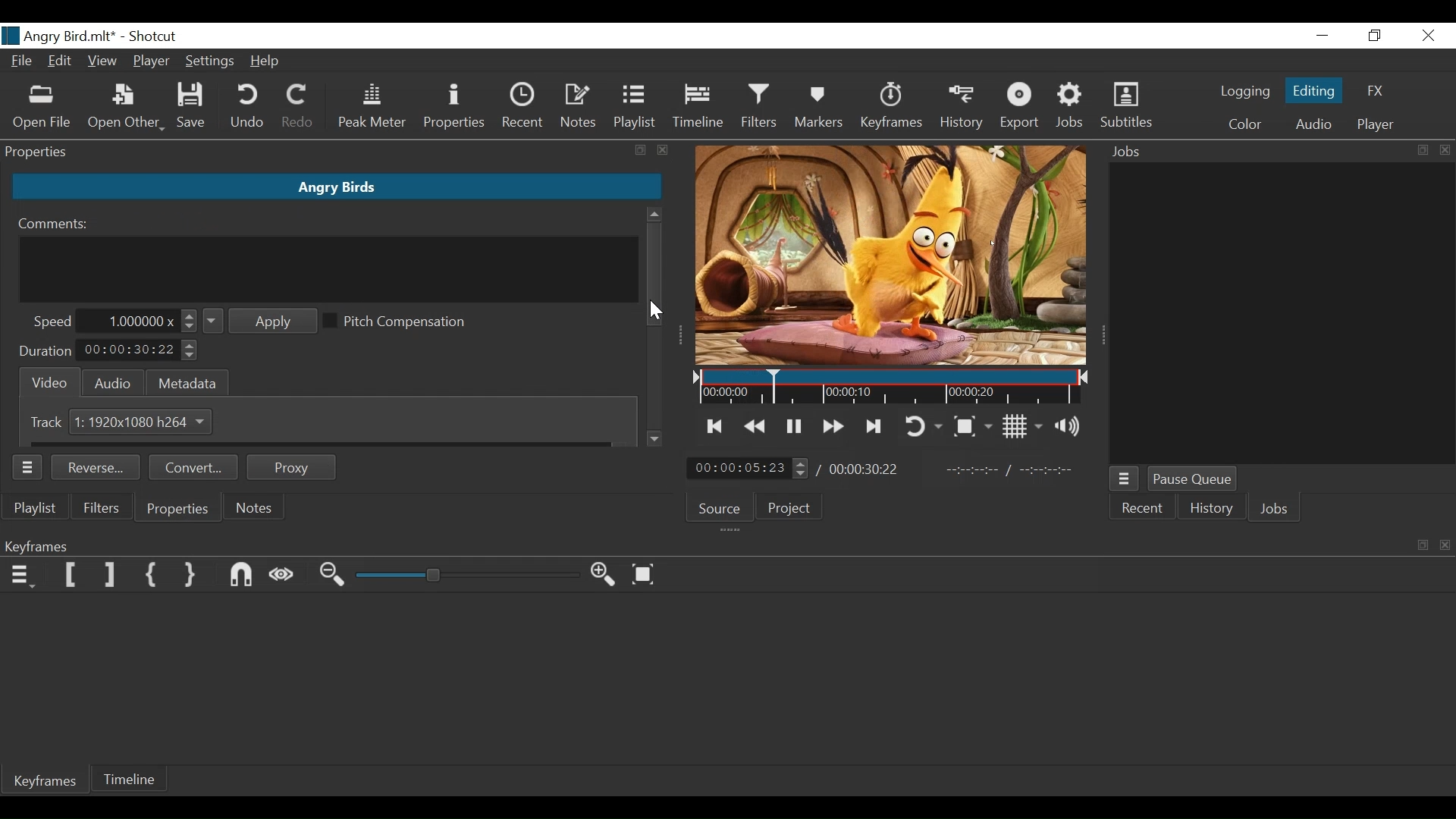 The height and width of the screenshot is (819, 1456). Describe the element at coordinates (961, 108) in the screenshot. I see `History` at that location.